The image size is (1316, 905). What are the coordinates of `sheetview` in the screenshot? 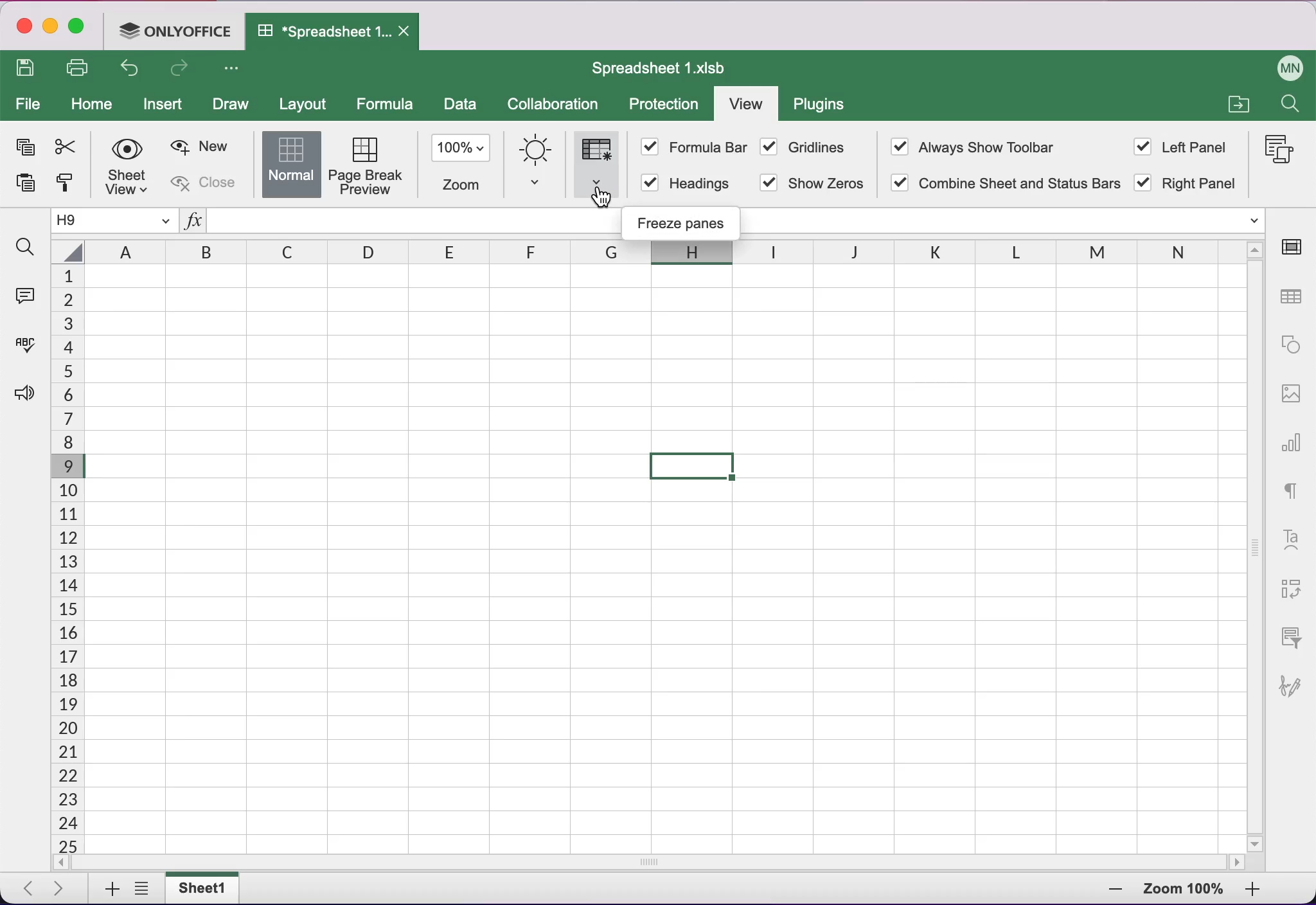 It's located at (129, 167).